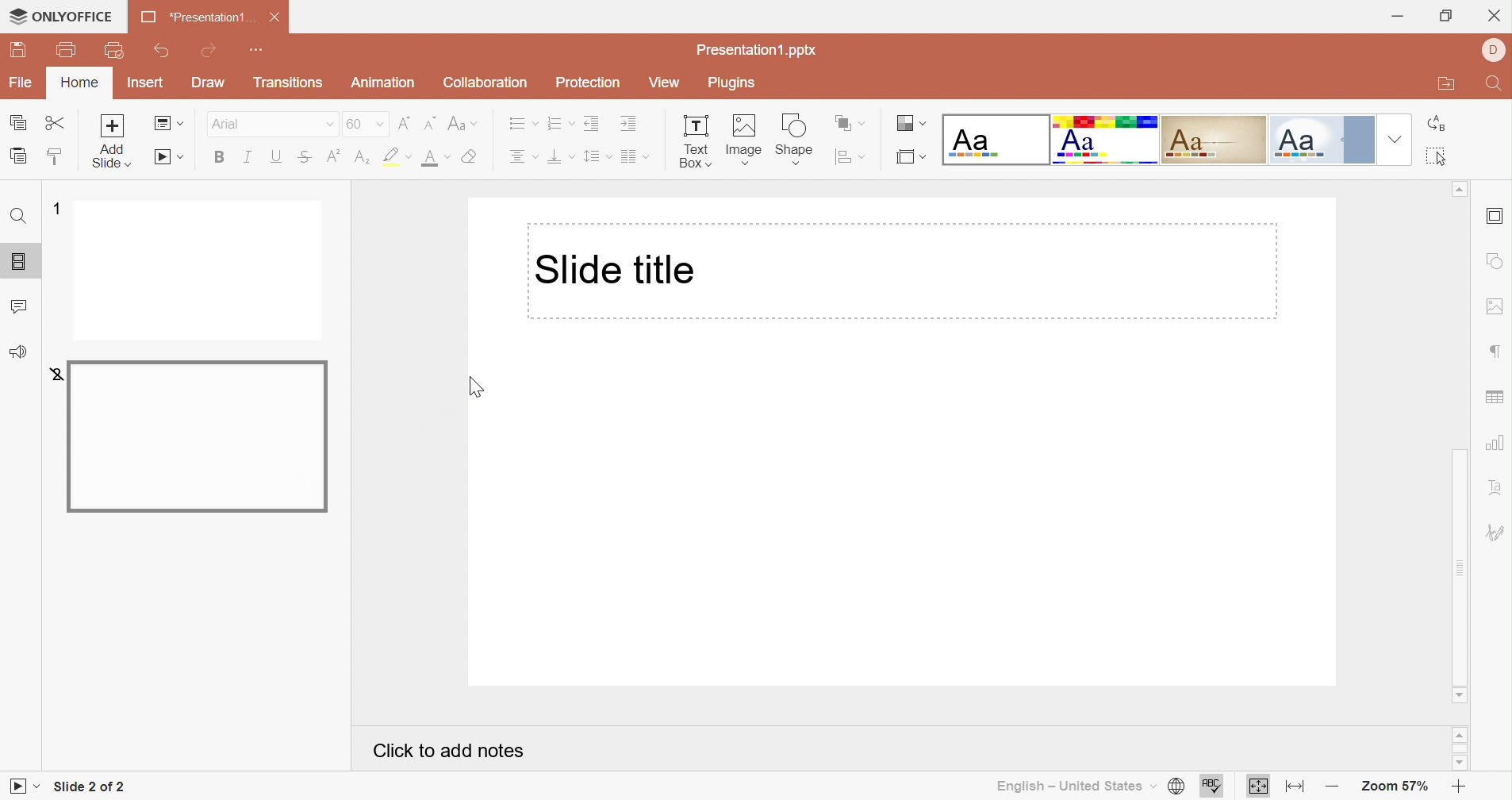 Image resolution: width=1512 pixels, height=800 pixels. I want to click on Align Bottom, so click(561, 159).